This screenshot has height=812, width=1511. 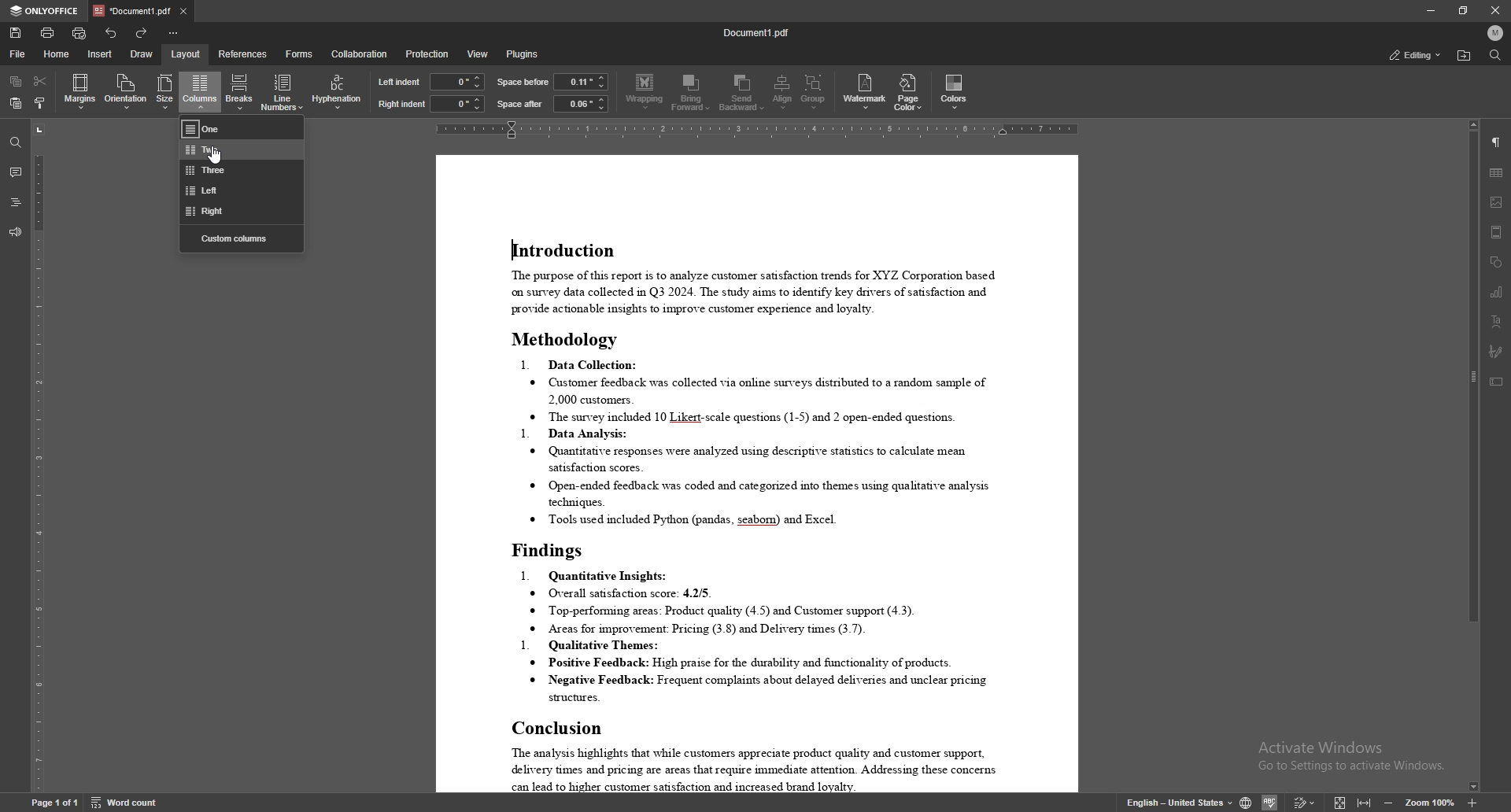 What do you see at coordinates (200, 90) in the screenshot?
I see `columns` at bounding box center [200, 90].